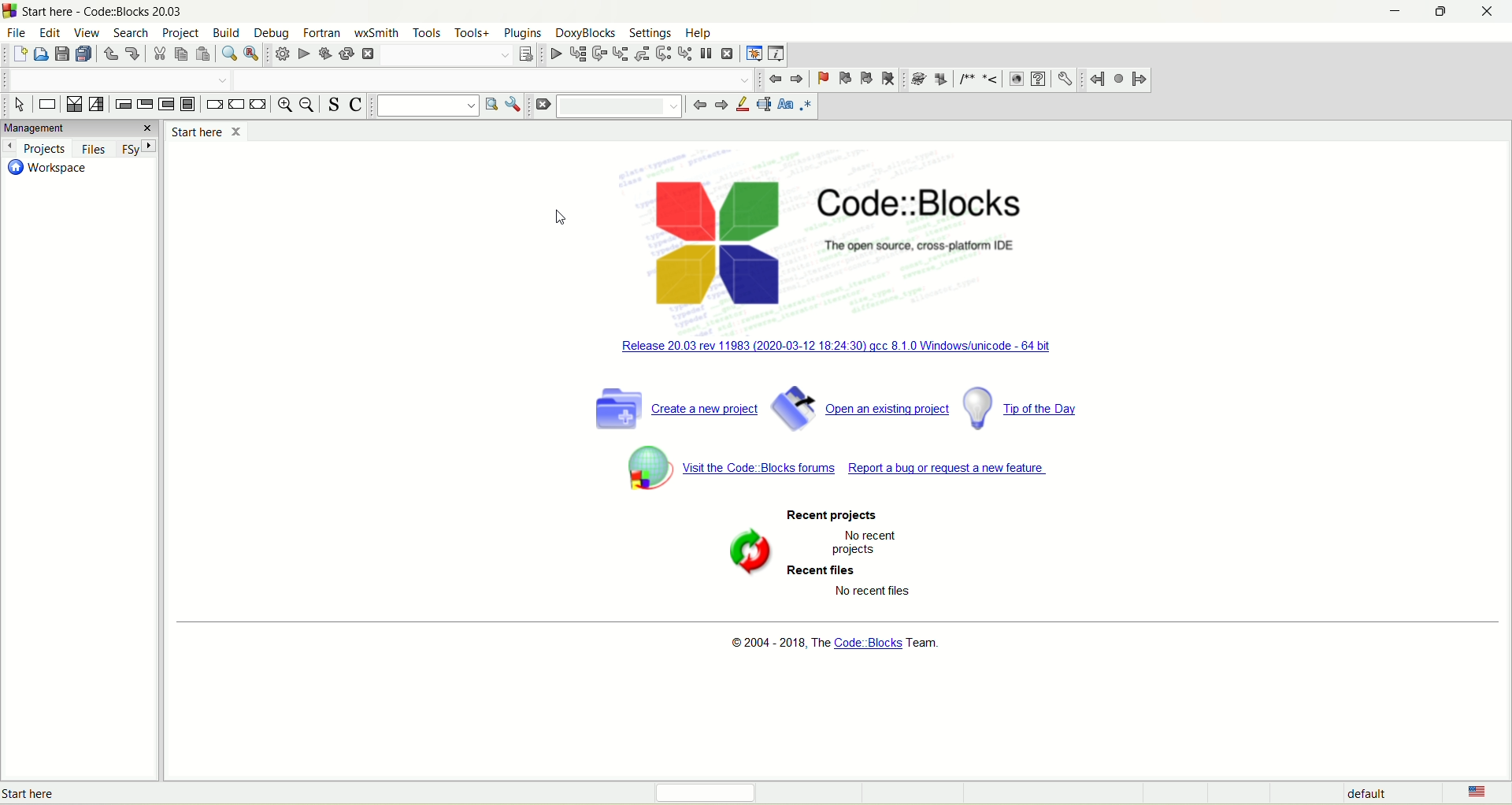 The height and width of the screenshot is (805, 1512). Describe the element at coordinates (721, 106) in the screenshot. I see `forward` at that location.